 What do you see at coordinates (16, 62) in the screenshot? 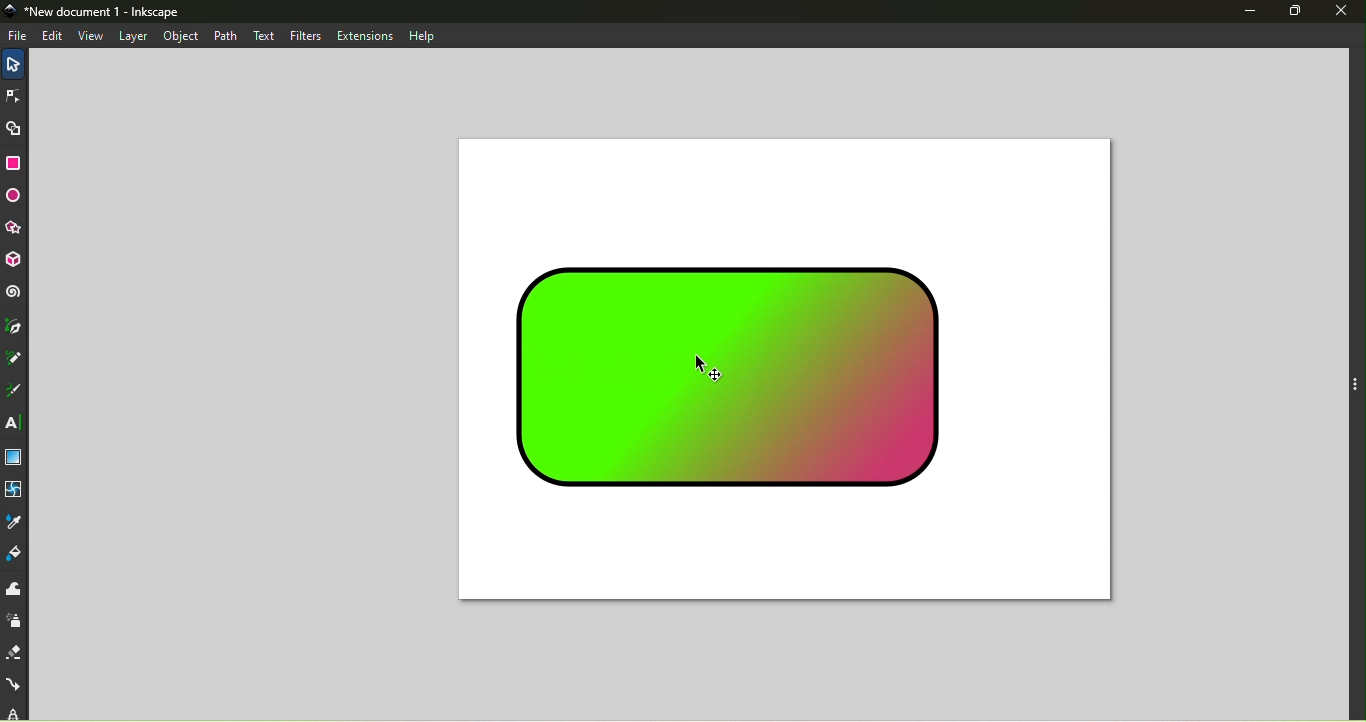
I see `Selector tool` at bounding box center [16, 62].